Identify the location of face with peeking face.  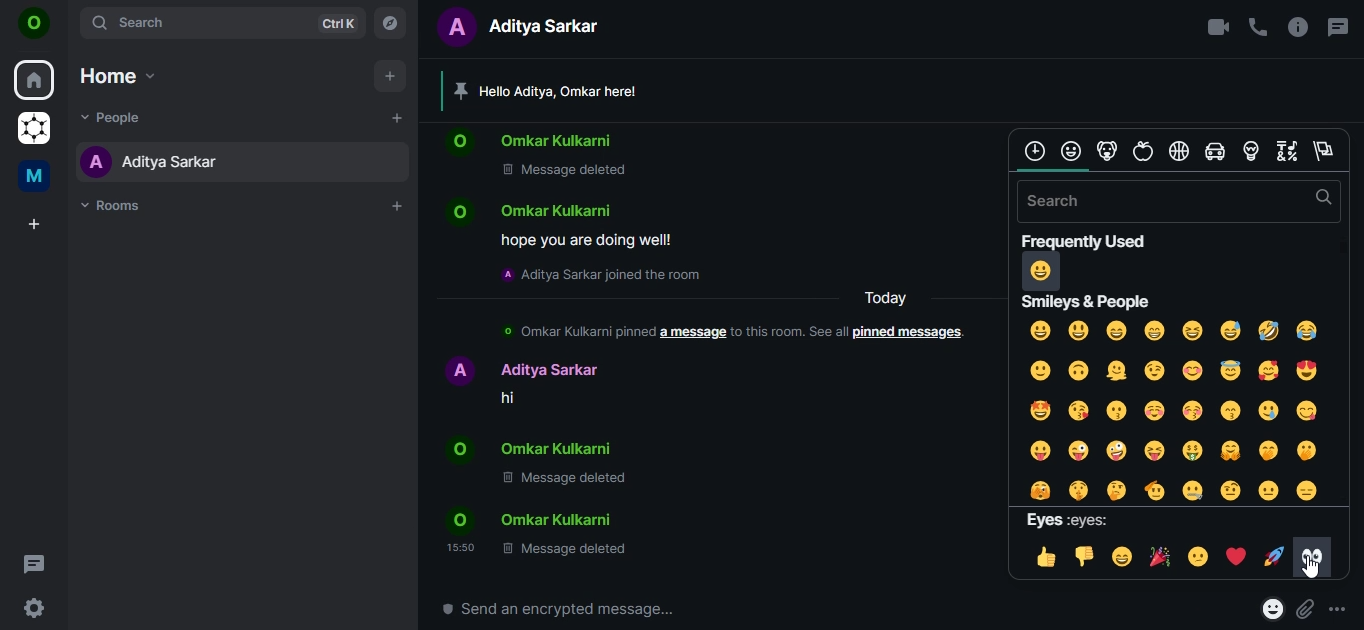
(1039, 489).